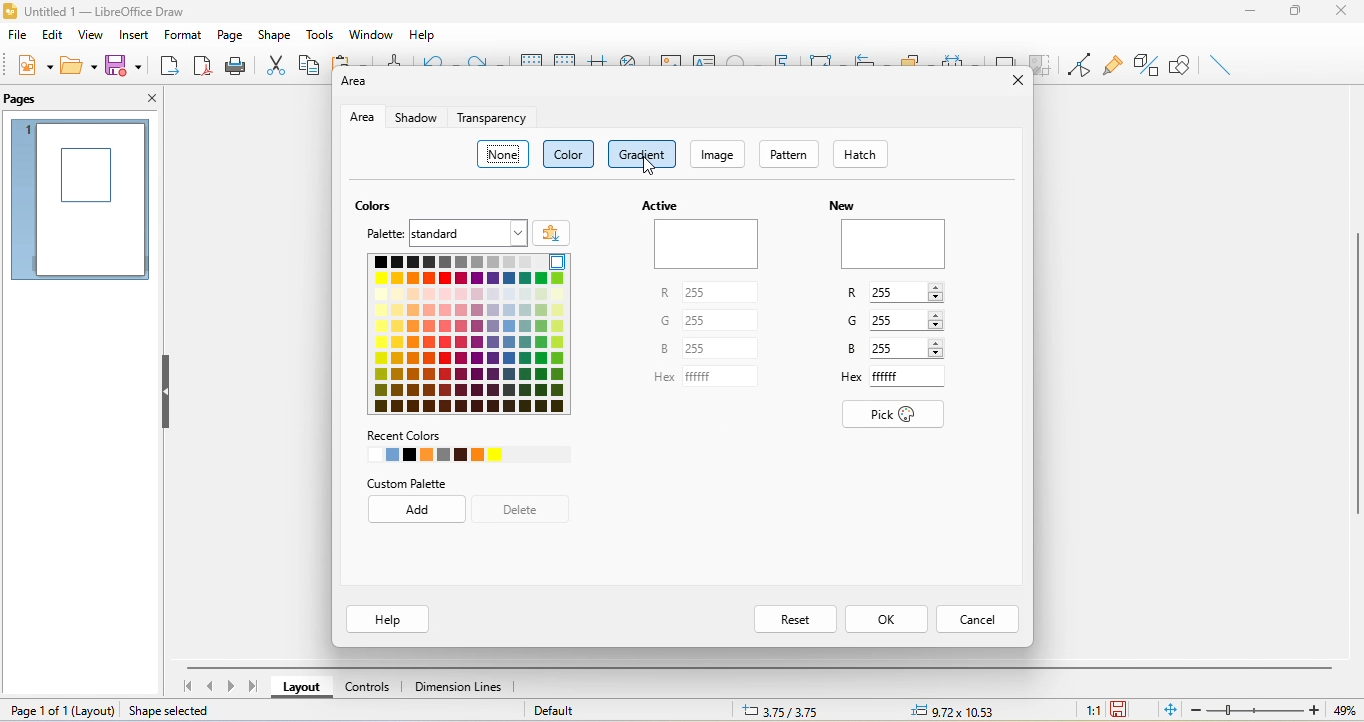 The height and width of the screenshot is (722, 1364). Describe the element at coordinates (1080, 64) in the screenshot. I see `toggle point edit mode` at that location.